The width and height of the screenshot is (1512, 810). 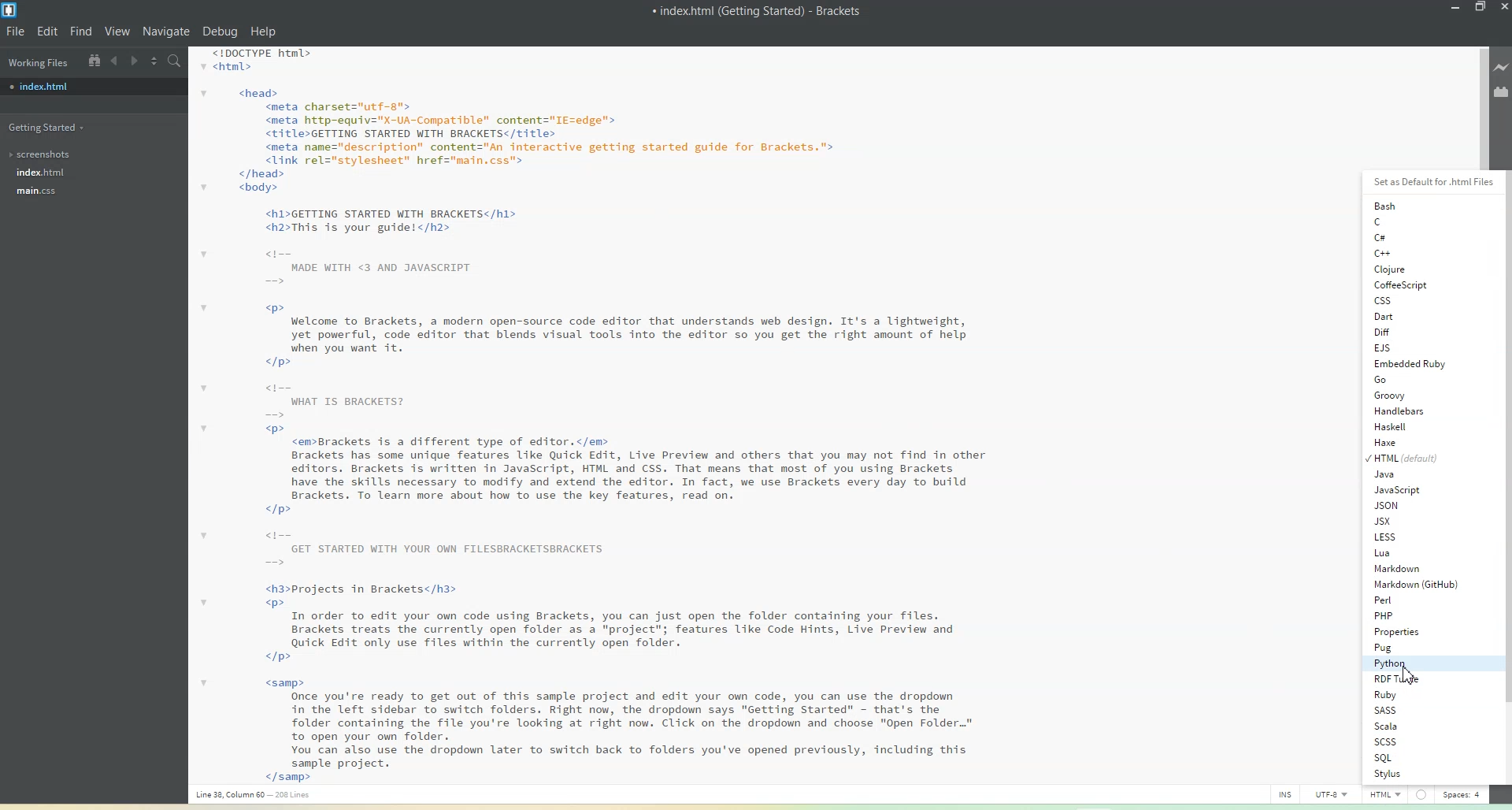 What do you see at coordinates (1417, 710) in the screenshot?
I see `SASS` at bounding box center [1417, 710].